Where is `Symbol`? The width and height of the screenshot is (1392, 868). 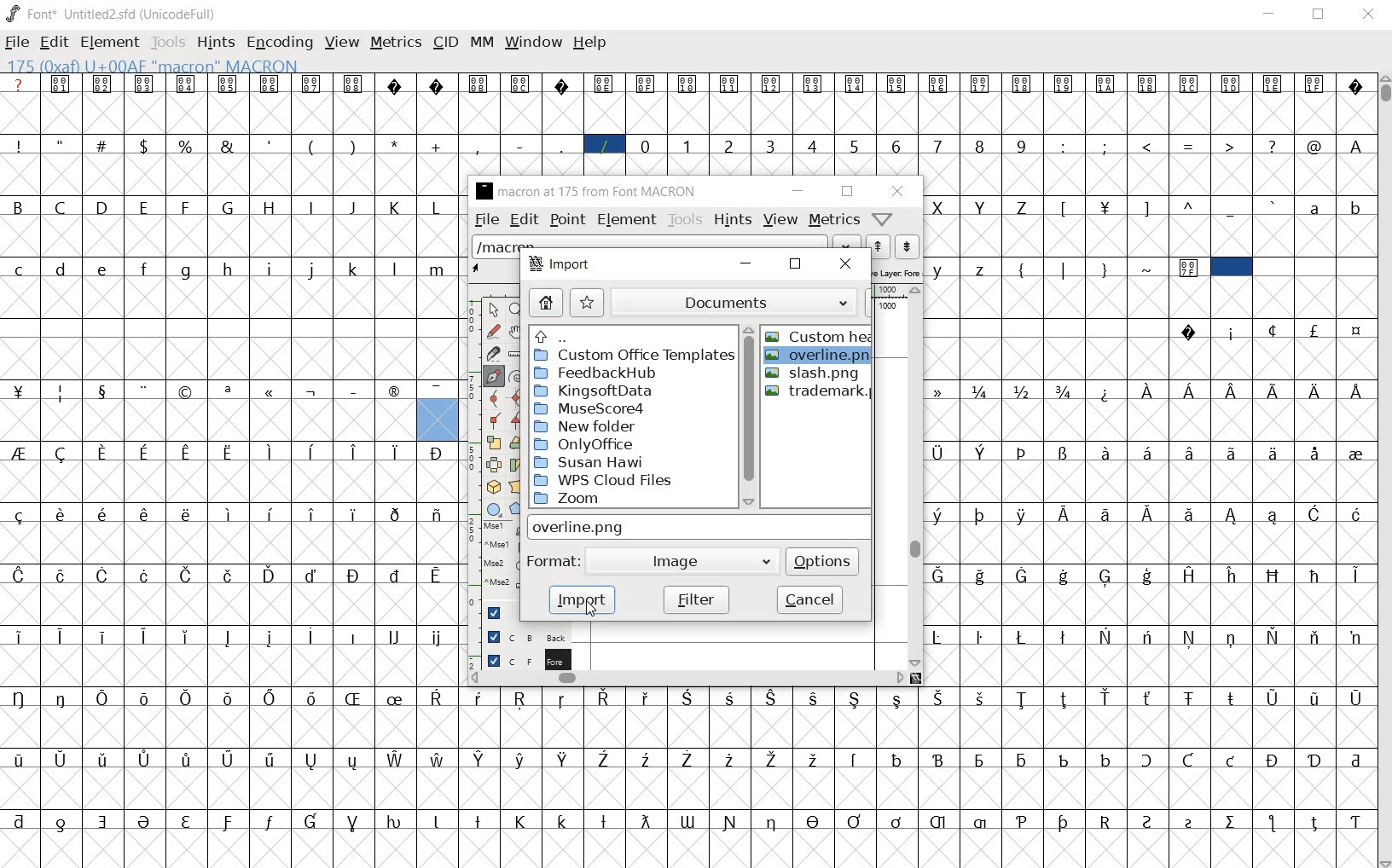 Symbol is located at coordinates (19, 516).